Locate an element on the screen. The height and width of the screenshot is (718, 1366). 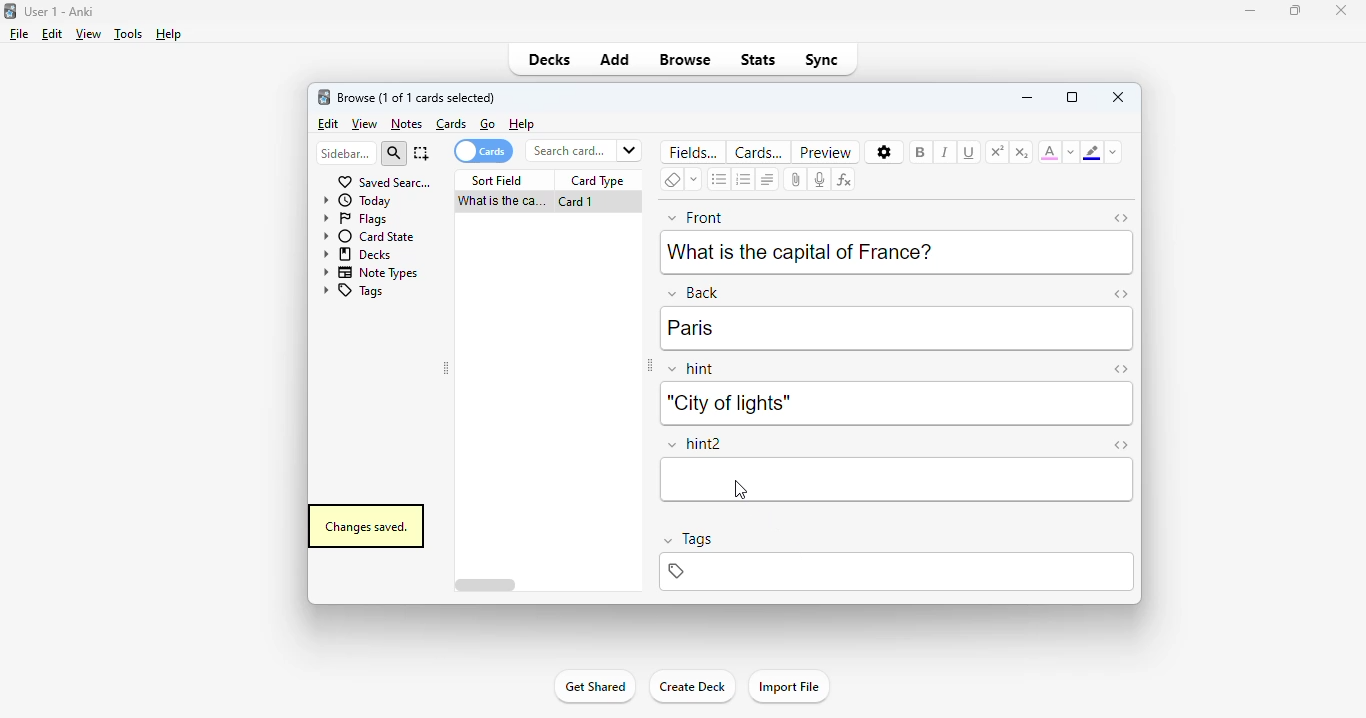
city of lights is located at coordinates (727, 403).